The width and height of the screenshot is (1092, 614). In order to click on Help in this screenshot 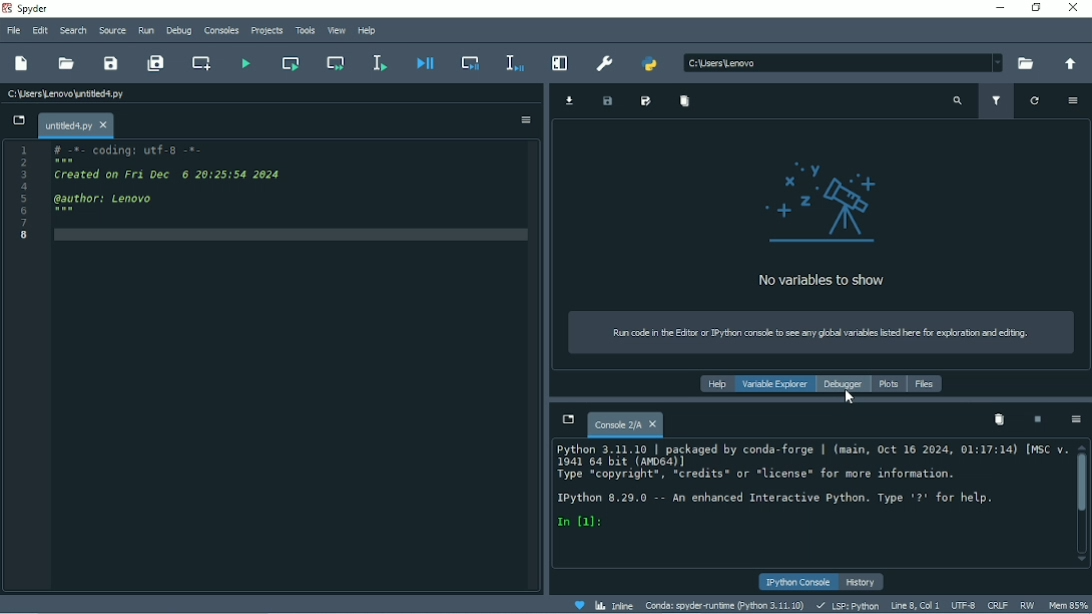, I will do `click(717, 384)`.